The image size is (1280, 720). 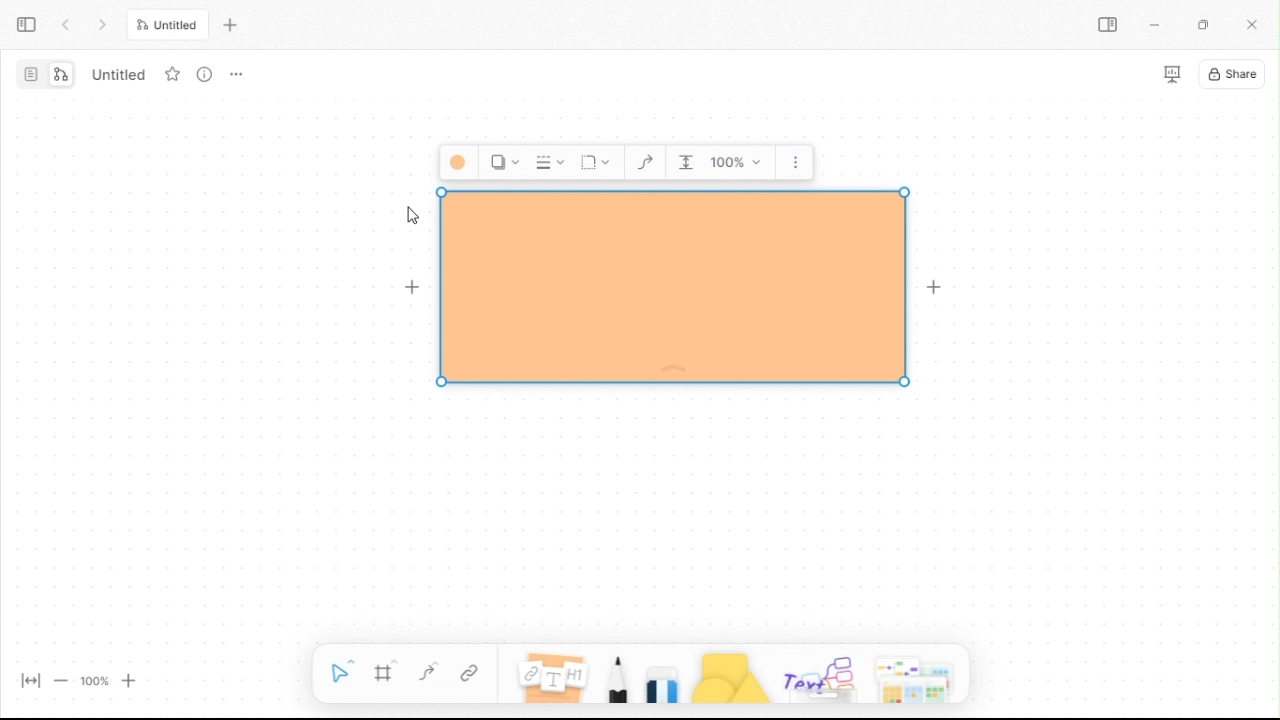 I want to click on untitled, so click(x=166, y=26).